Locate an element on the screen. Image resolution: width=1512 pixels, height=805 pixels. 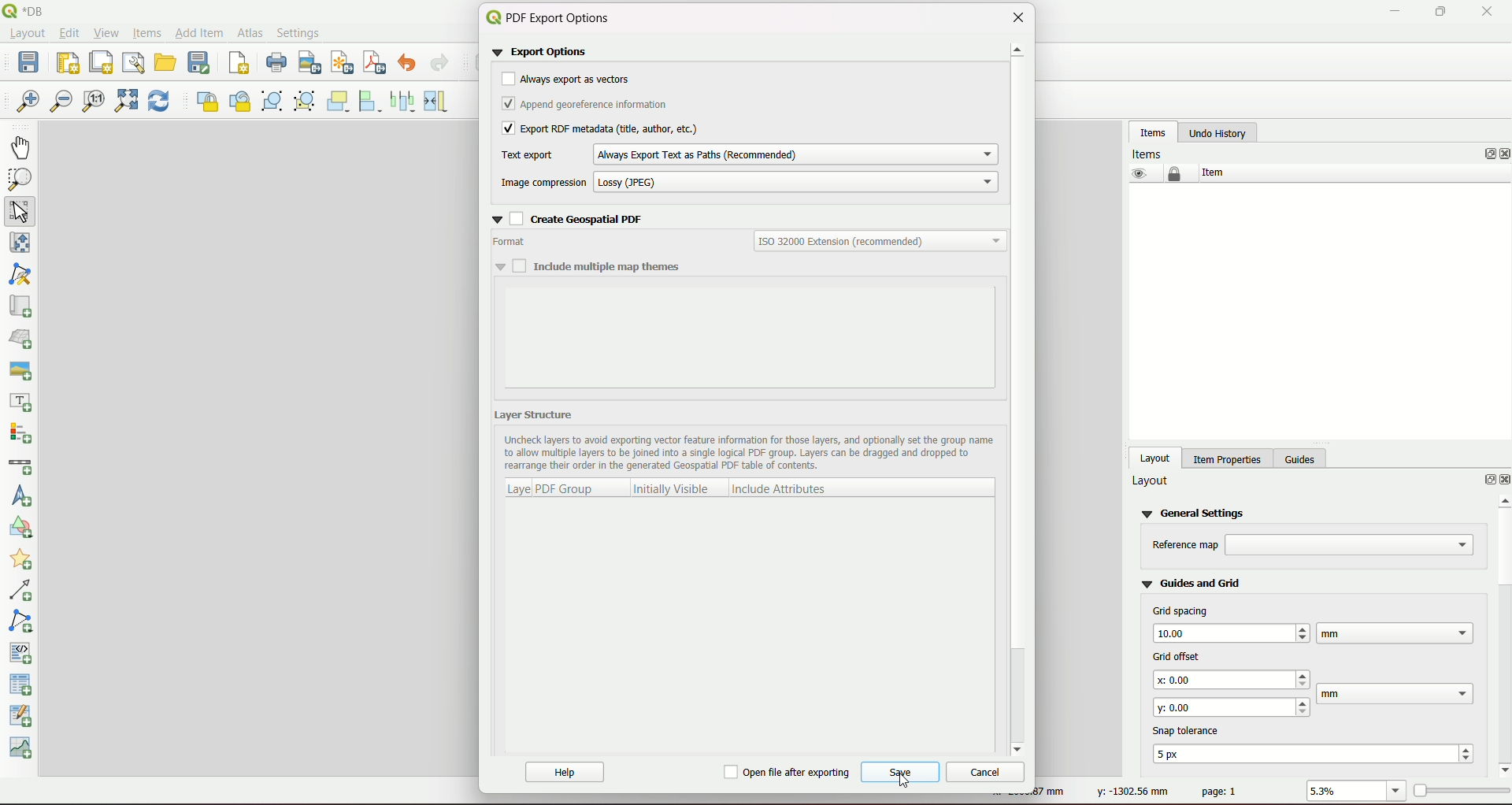
close is located at coordinates (1503, 480).